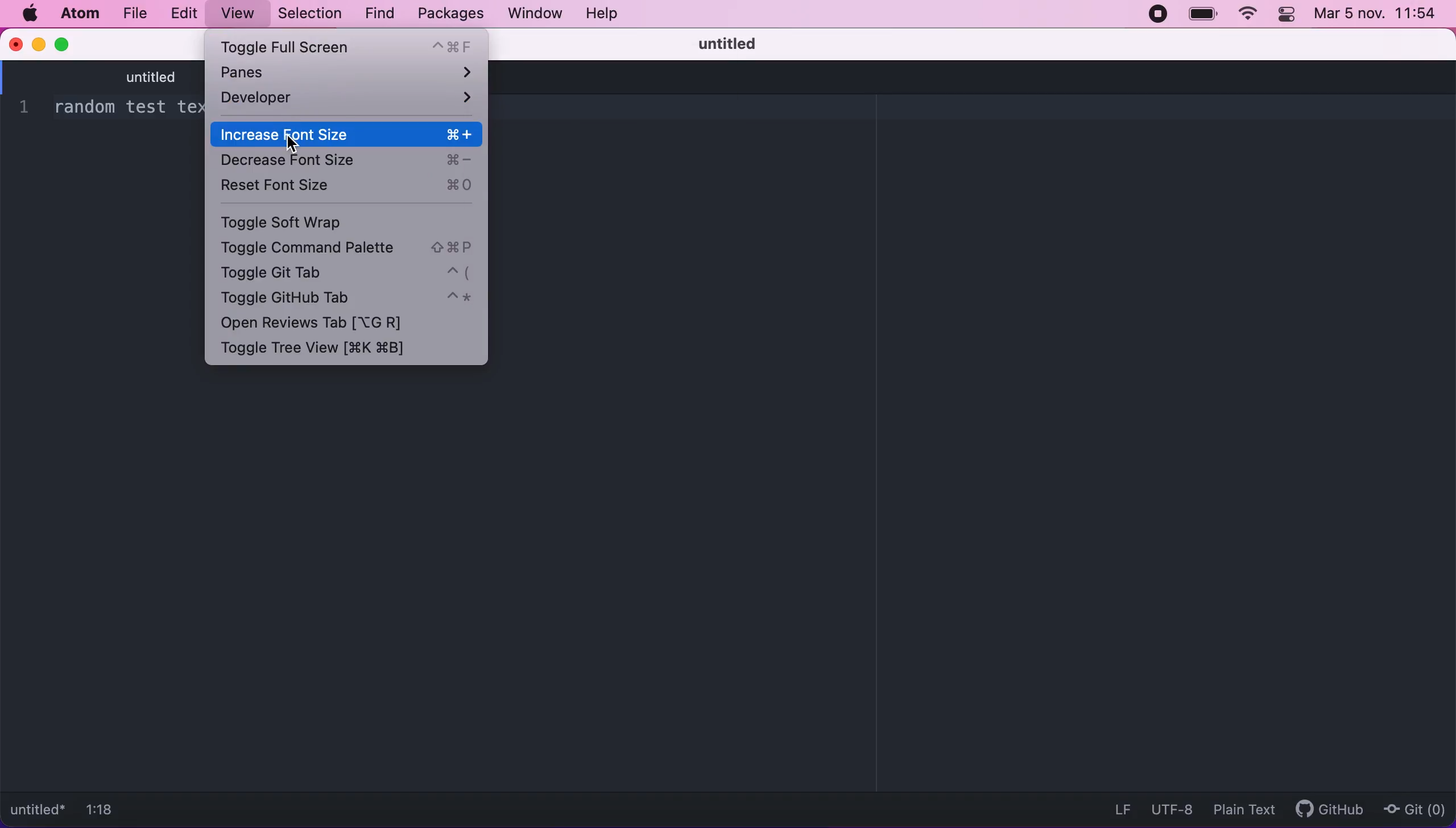  I want to click on untitled, so click(200, 78).